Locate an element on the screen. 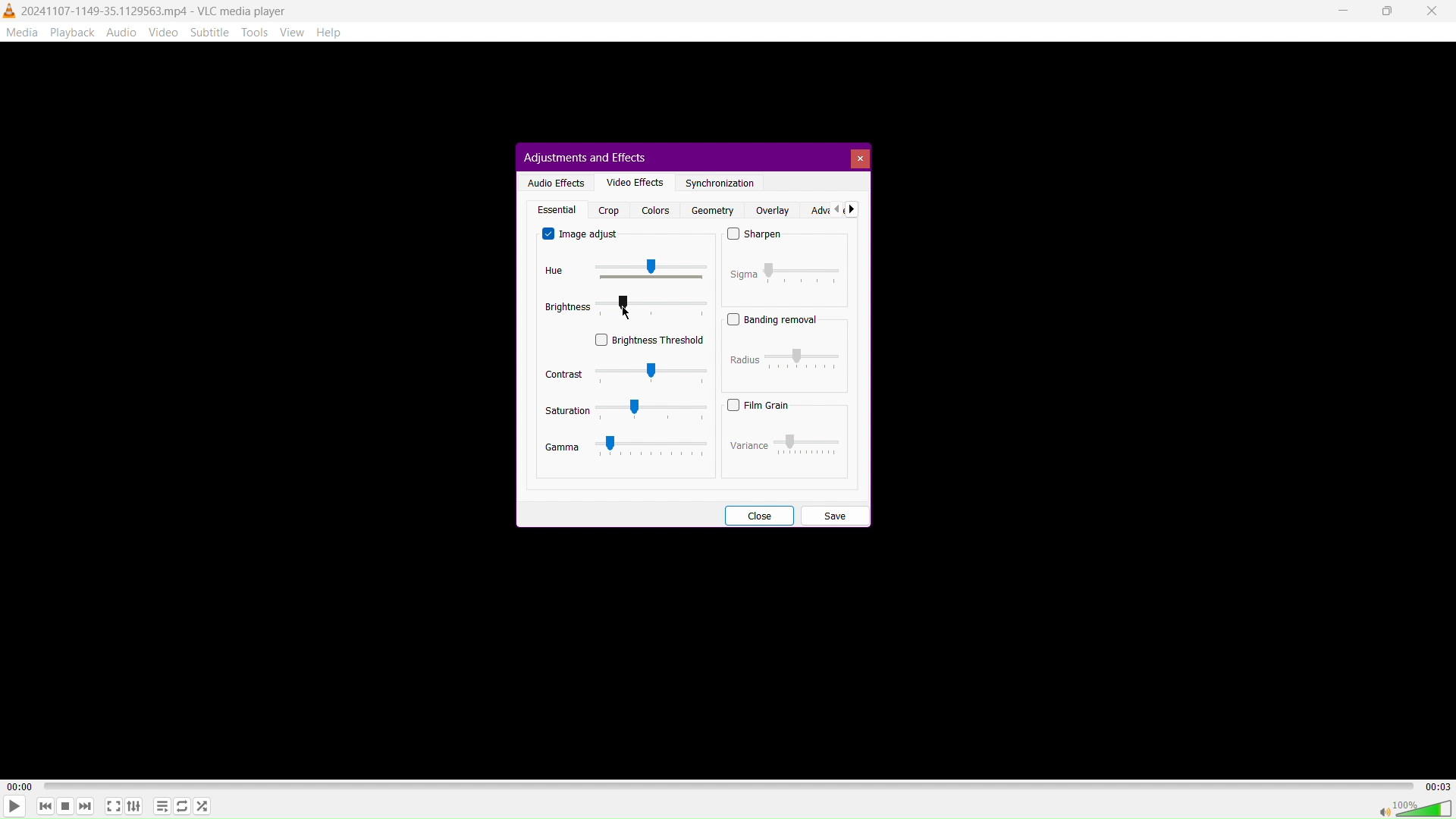 This screenshot has width=1456, height=819. Colors is located at coordinates (654, 210).